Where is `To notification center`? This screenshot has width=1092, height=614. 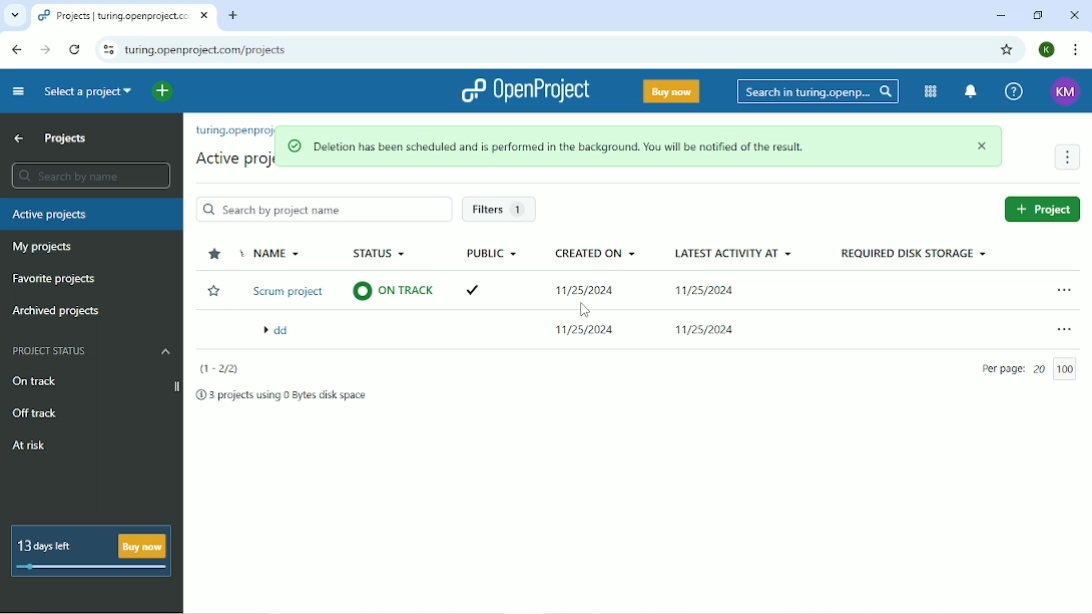
To notification center is located at coordinates (971, 91).